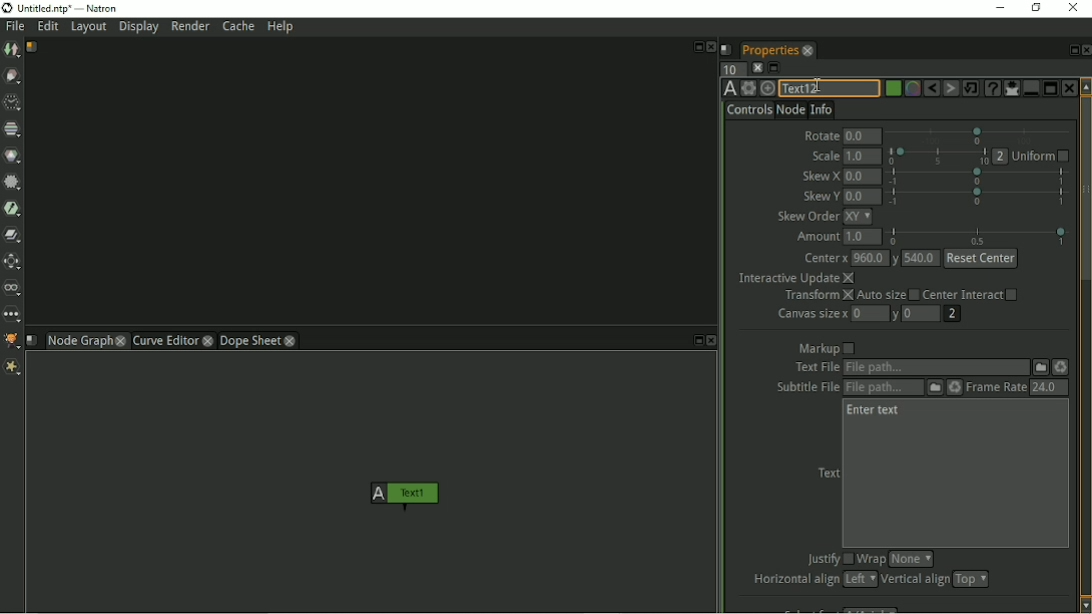 The image size is (1092, 614). I want to click on File, so click(15, 27).